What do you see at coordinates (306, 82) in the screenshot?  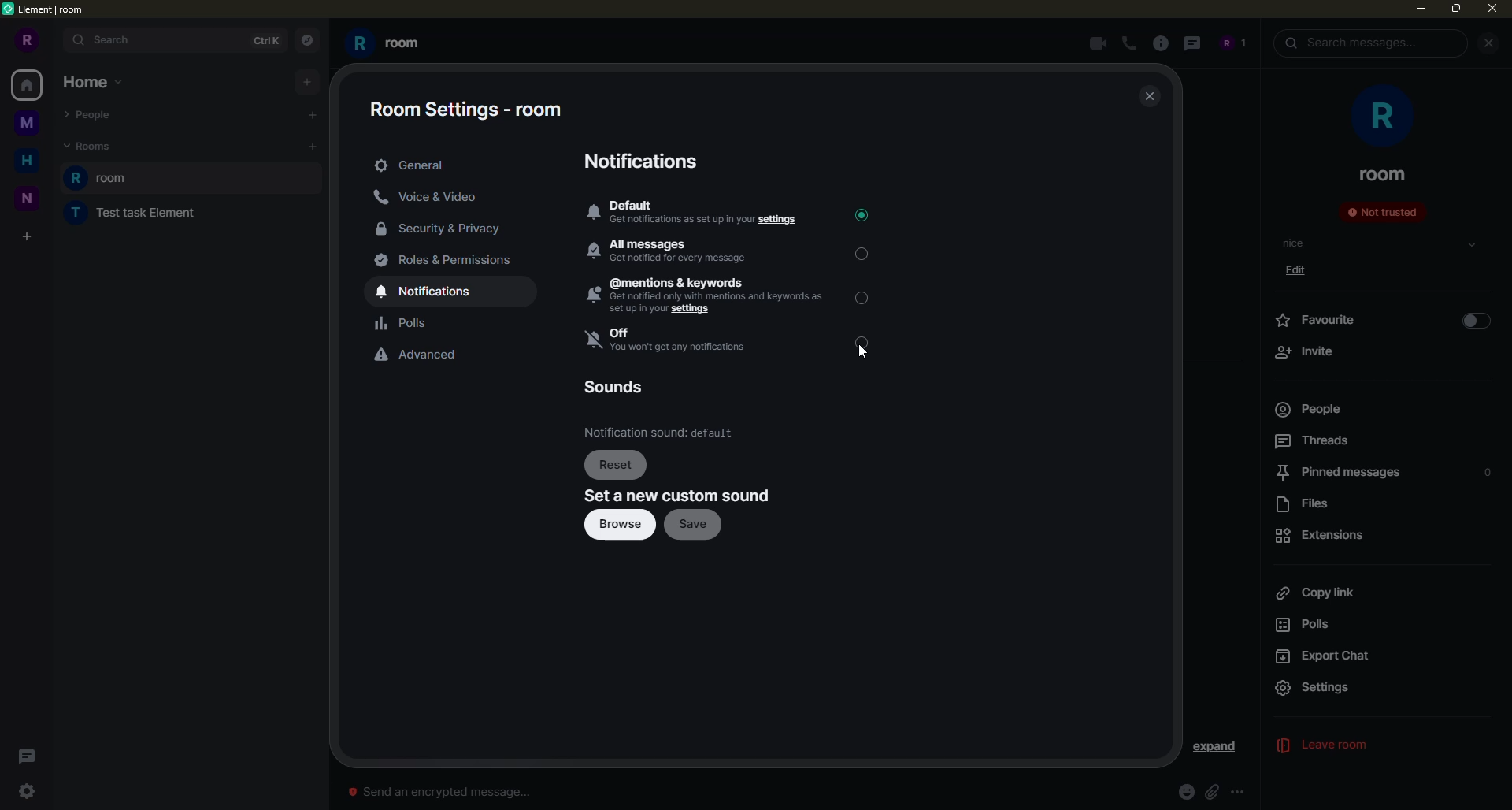 I see `add` at bounding box center [306, 82].